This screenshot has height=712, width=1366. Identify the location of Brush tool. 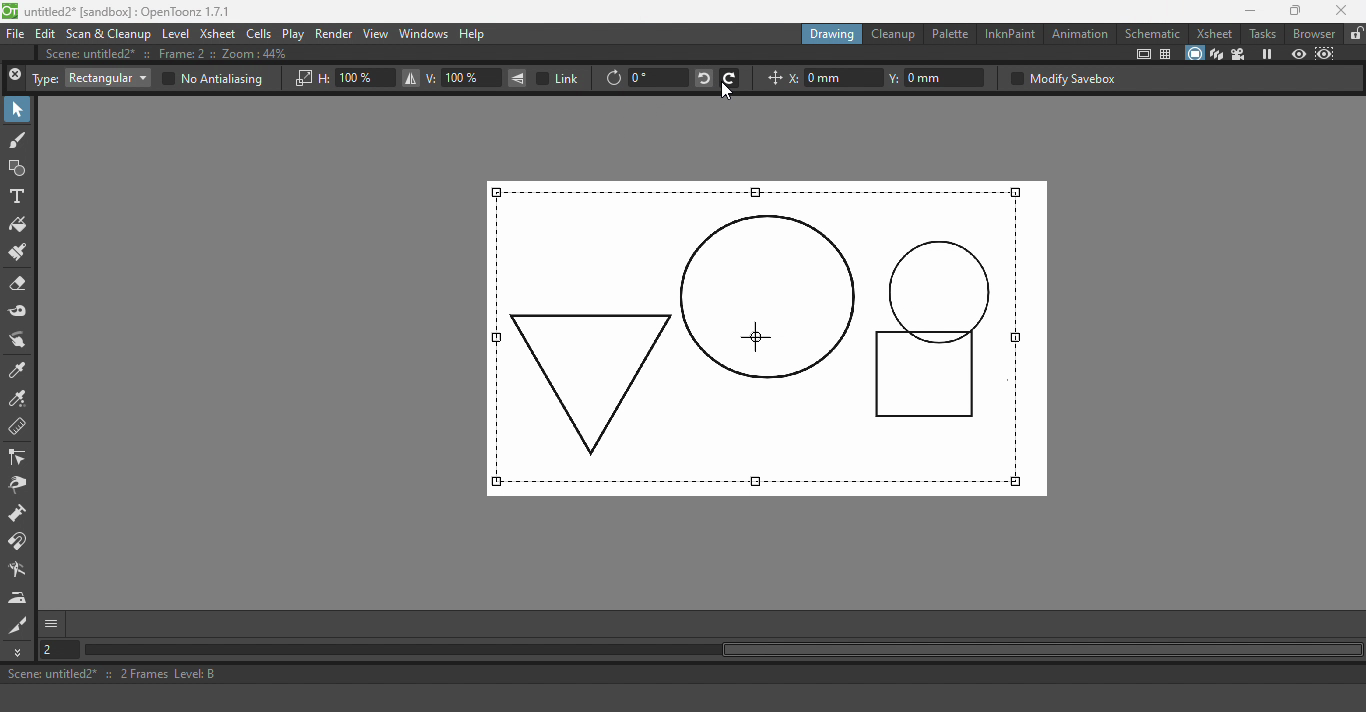
(18, 141).